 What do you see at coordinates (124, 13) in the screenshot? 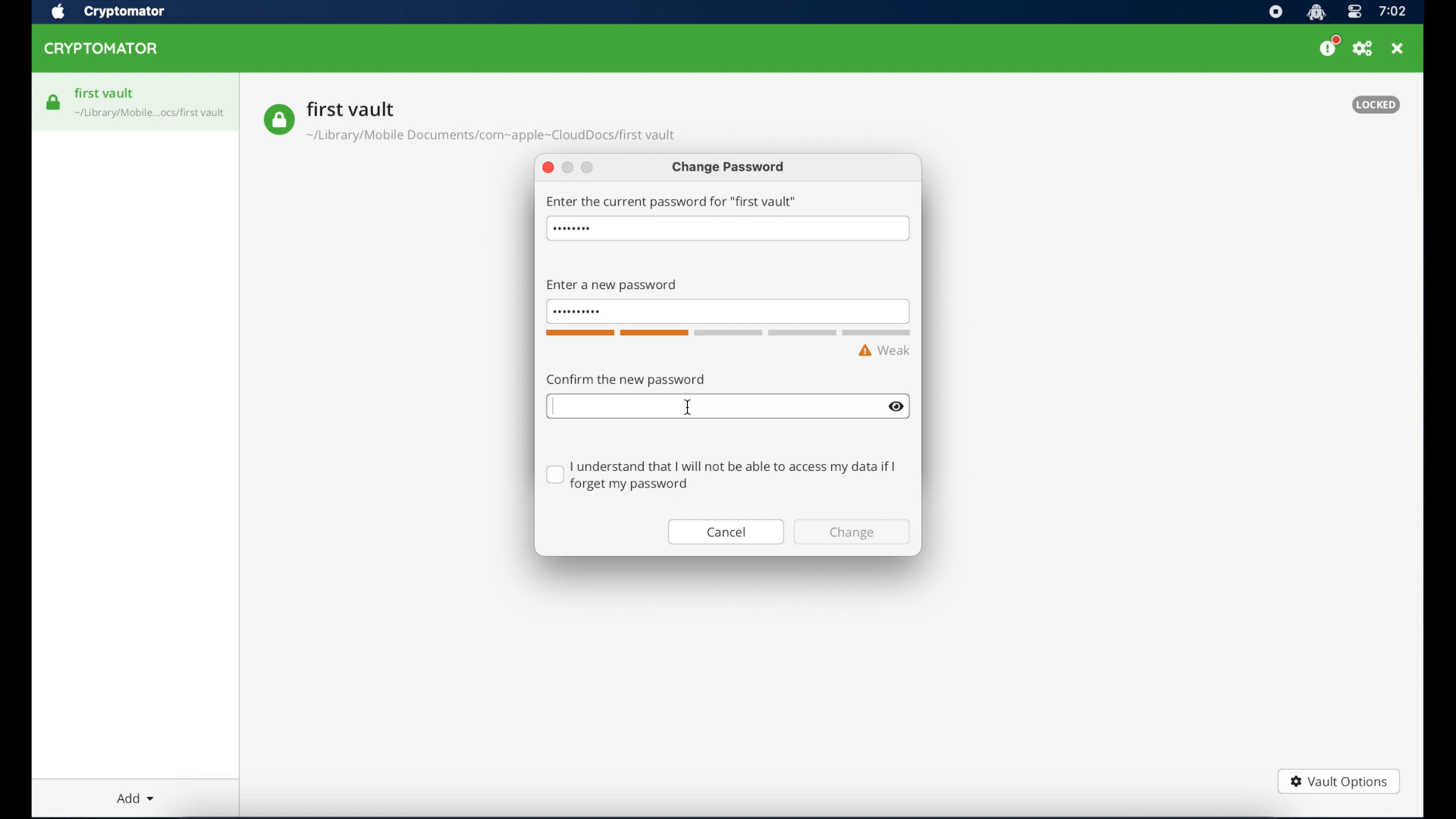
I see `crytptomator` at bounding box center [124, 13].